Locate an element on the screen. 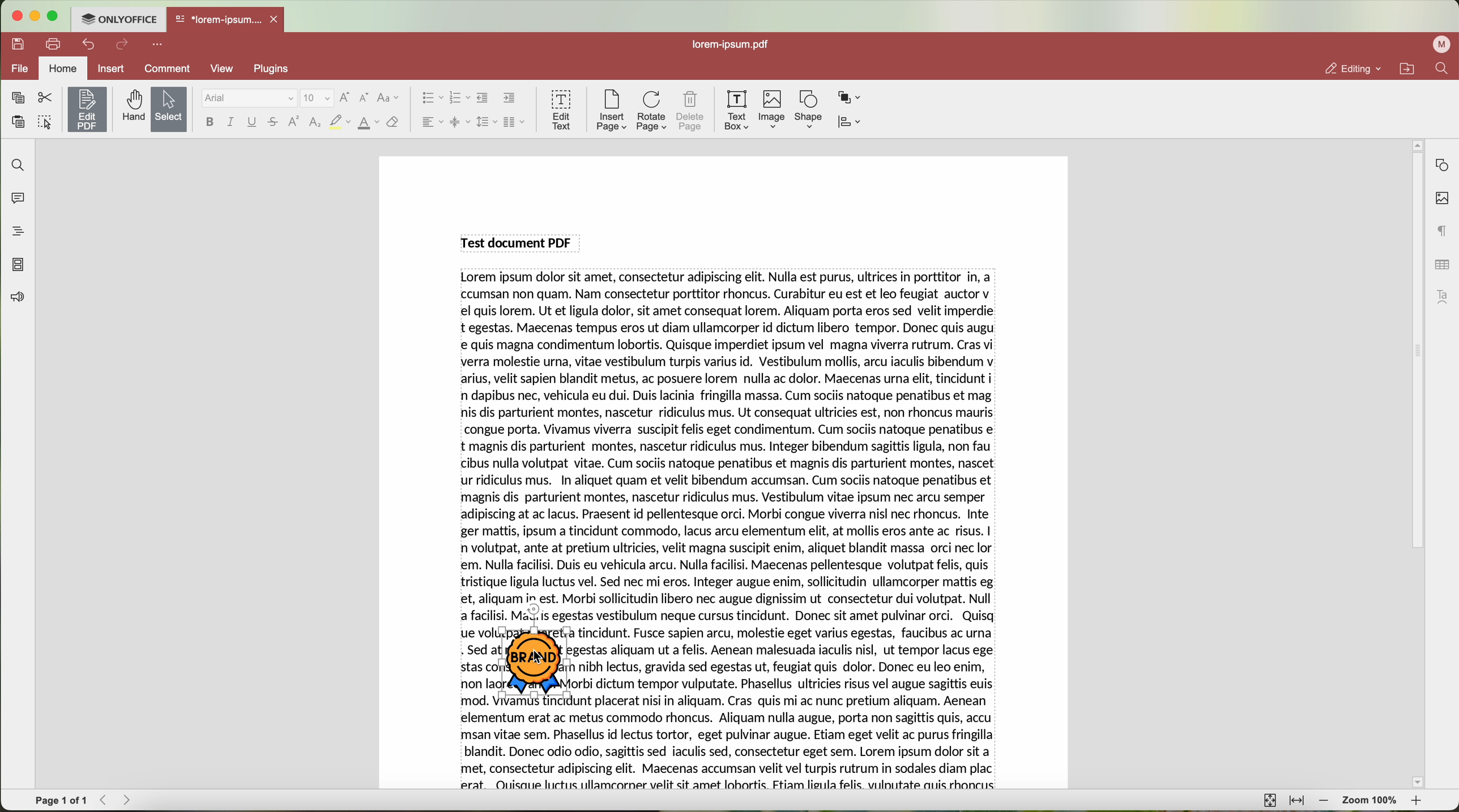  zoom in is located at coordinates (1418, 803).